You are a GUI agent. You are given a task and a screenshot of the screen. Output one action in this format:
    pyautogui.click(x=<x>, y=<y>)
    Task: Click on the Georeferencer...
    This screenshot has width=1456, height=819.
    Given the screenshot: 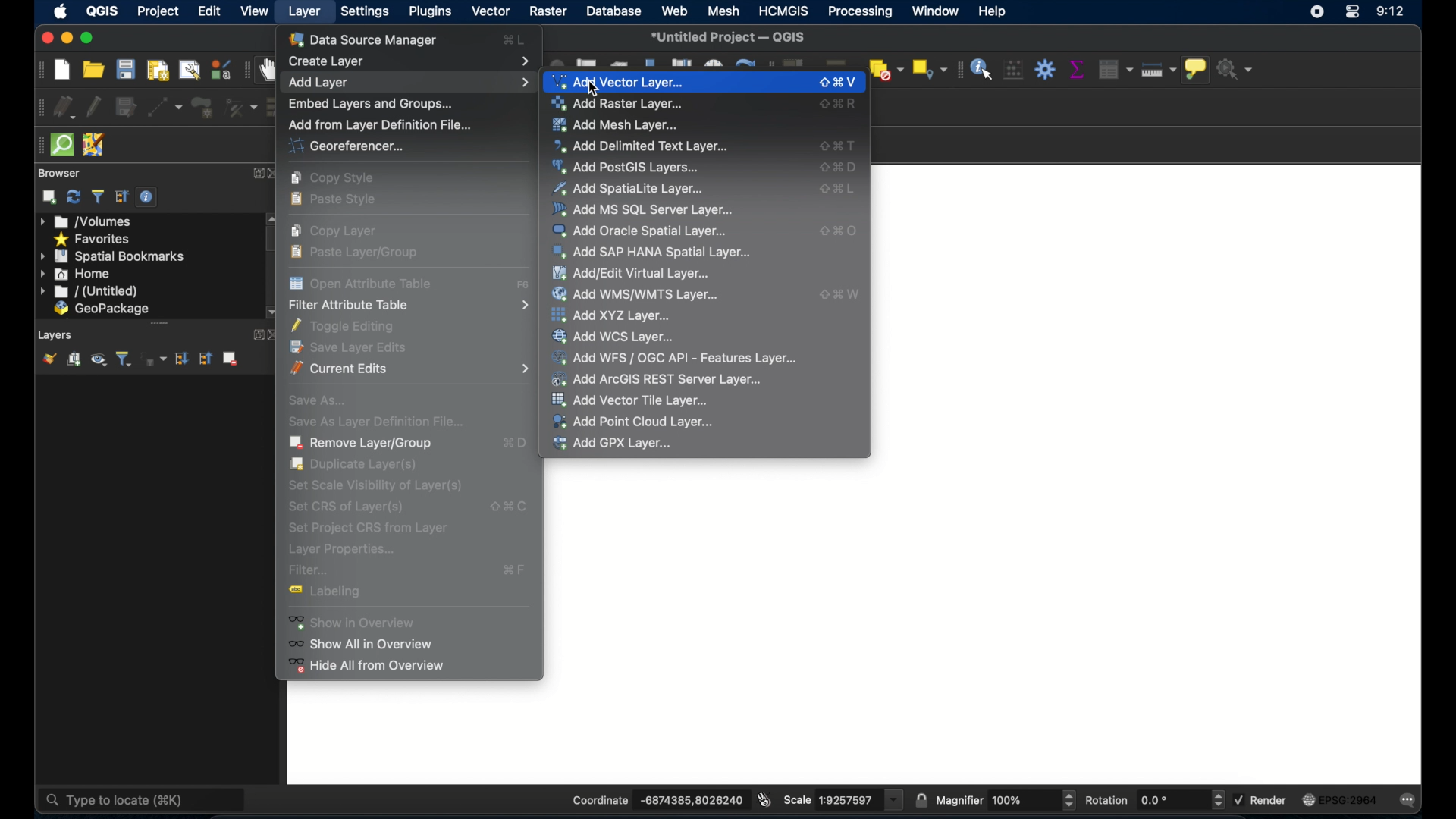 What is the action you would take?
    pyautogui.click(x=373, y=146)
    